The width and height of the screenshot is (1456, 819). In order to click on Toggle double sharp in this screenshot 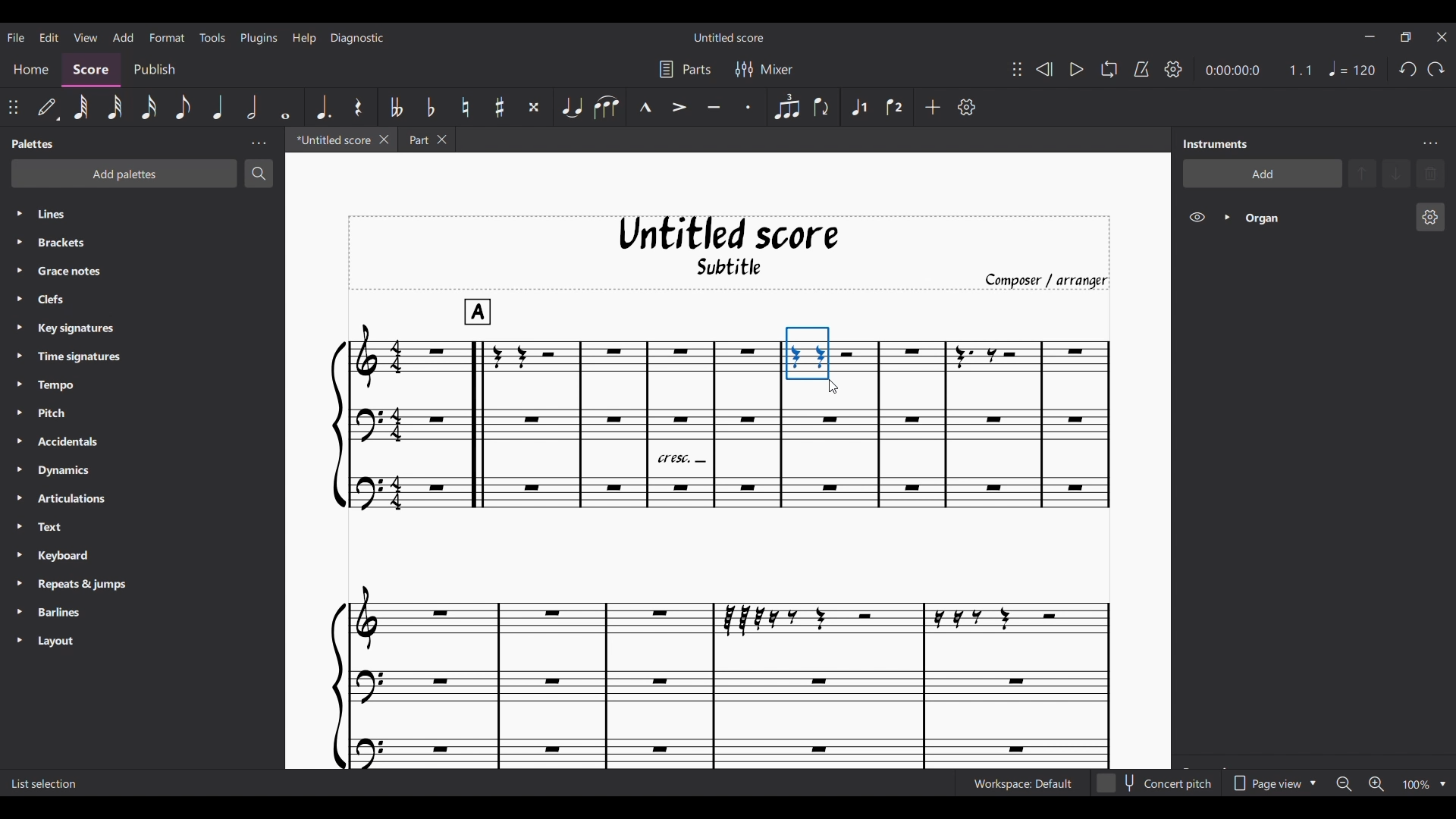, I will do `click(535, 106)`.